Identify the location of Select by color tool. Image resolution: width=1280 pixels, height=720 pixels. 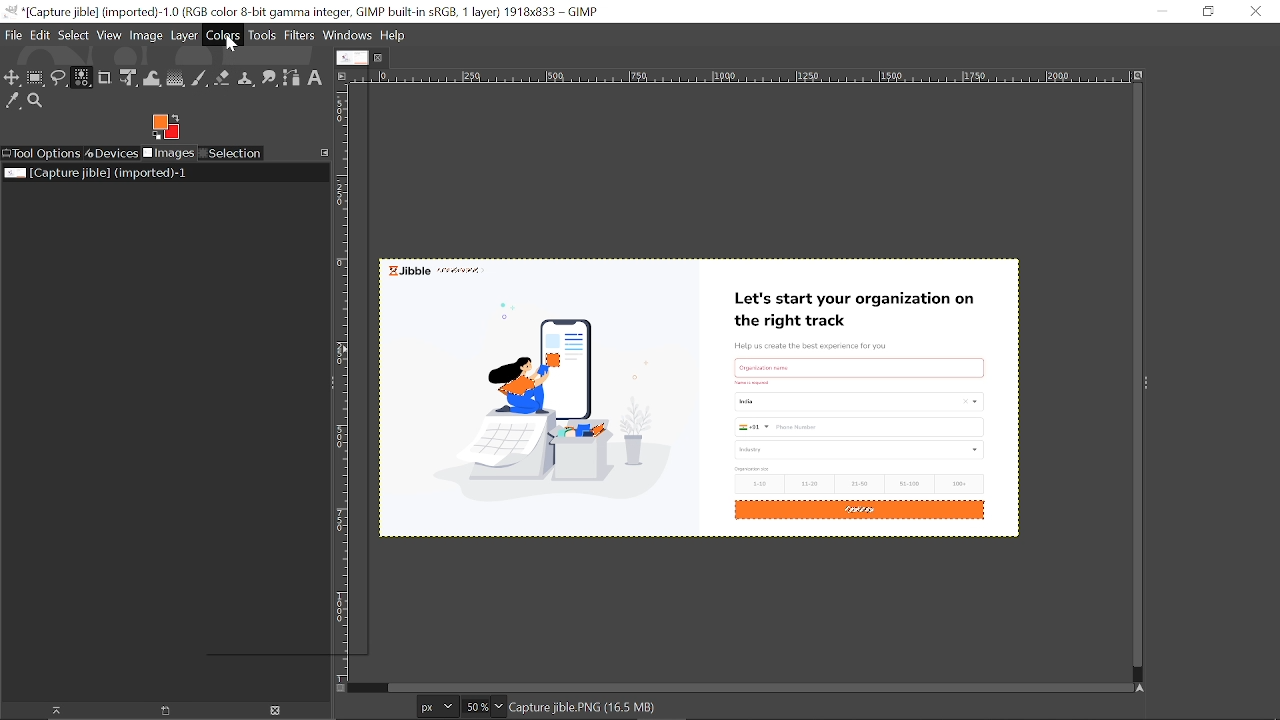
(81, 77).